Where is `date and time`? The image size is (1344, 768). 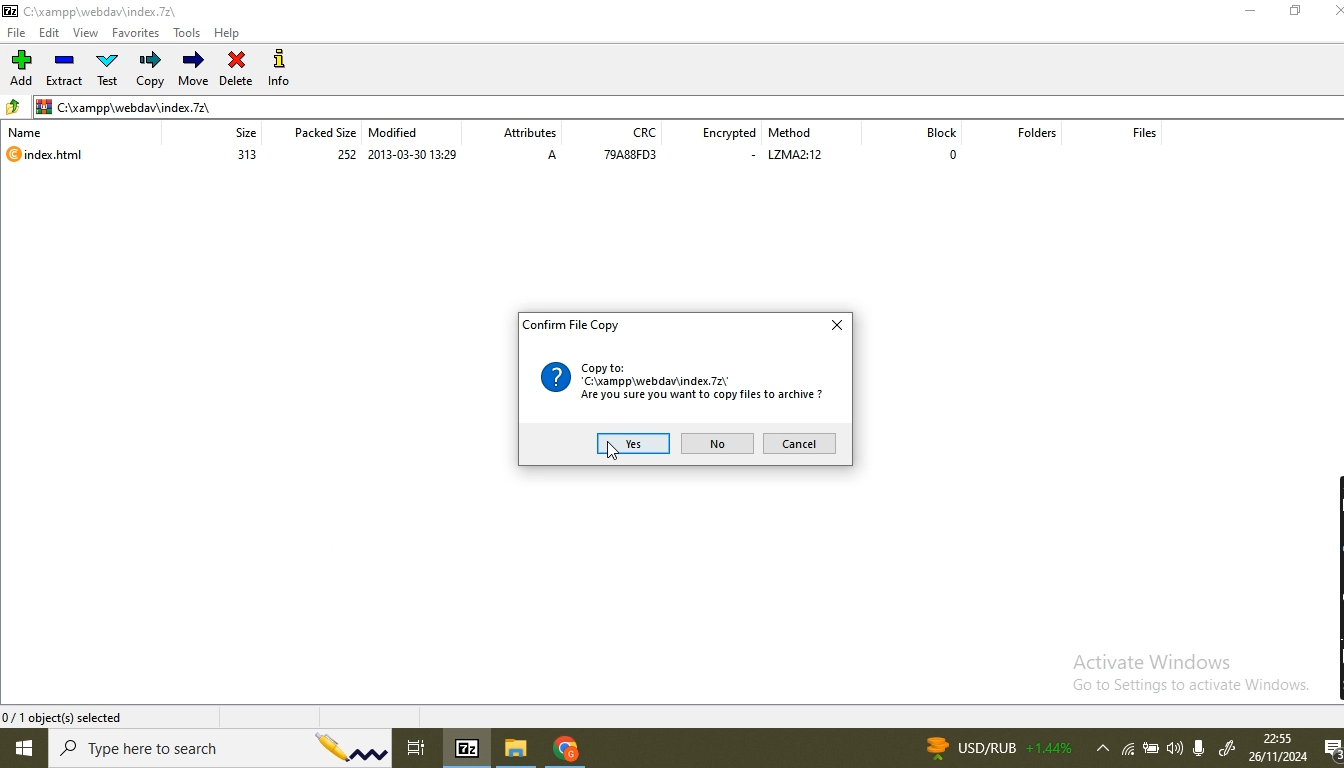 date and time is located at coordinates (1277, 748).